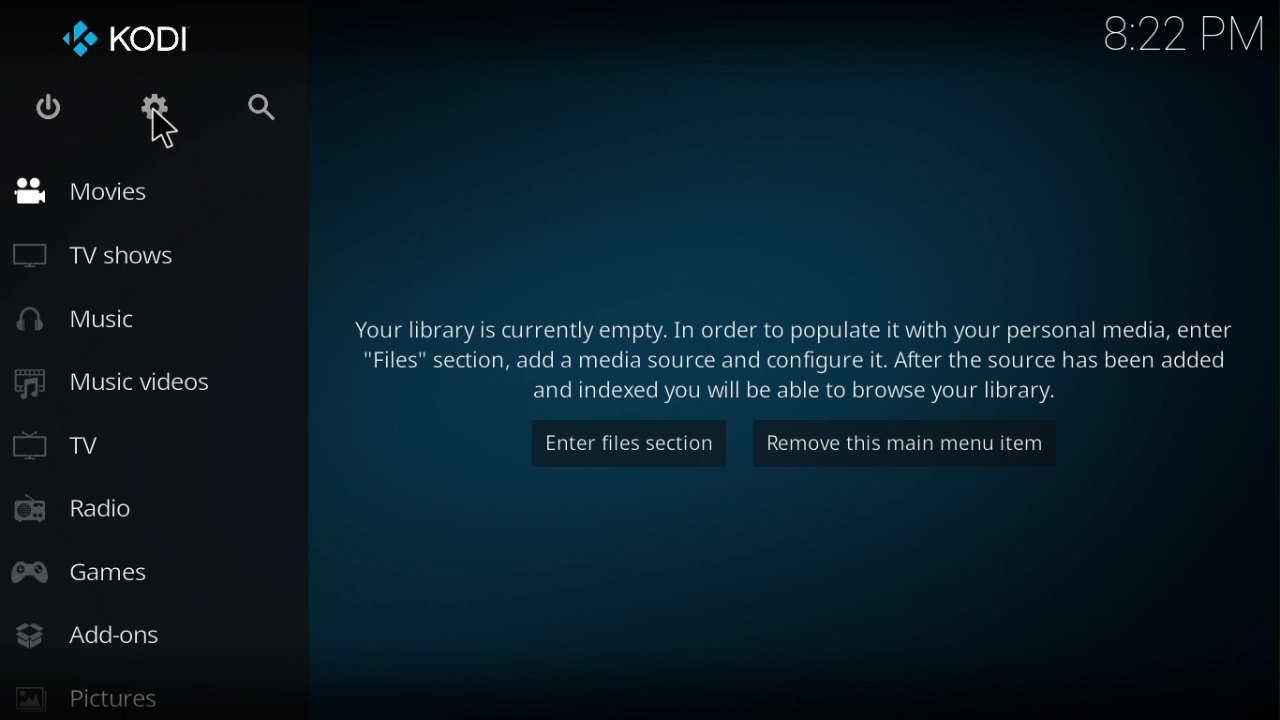 The width and height of the screenshot is (1280, 720). Describe the element at coordinates (261, 109) in the screenshot. I see `search` at that location.